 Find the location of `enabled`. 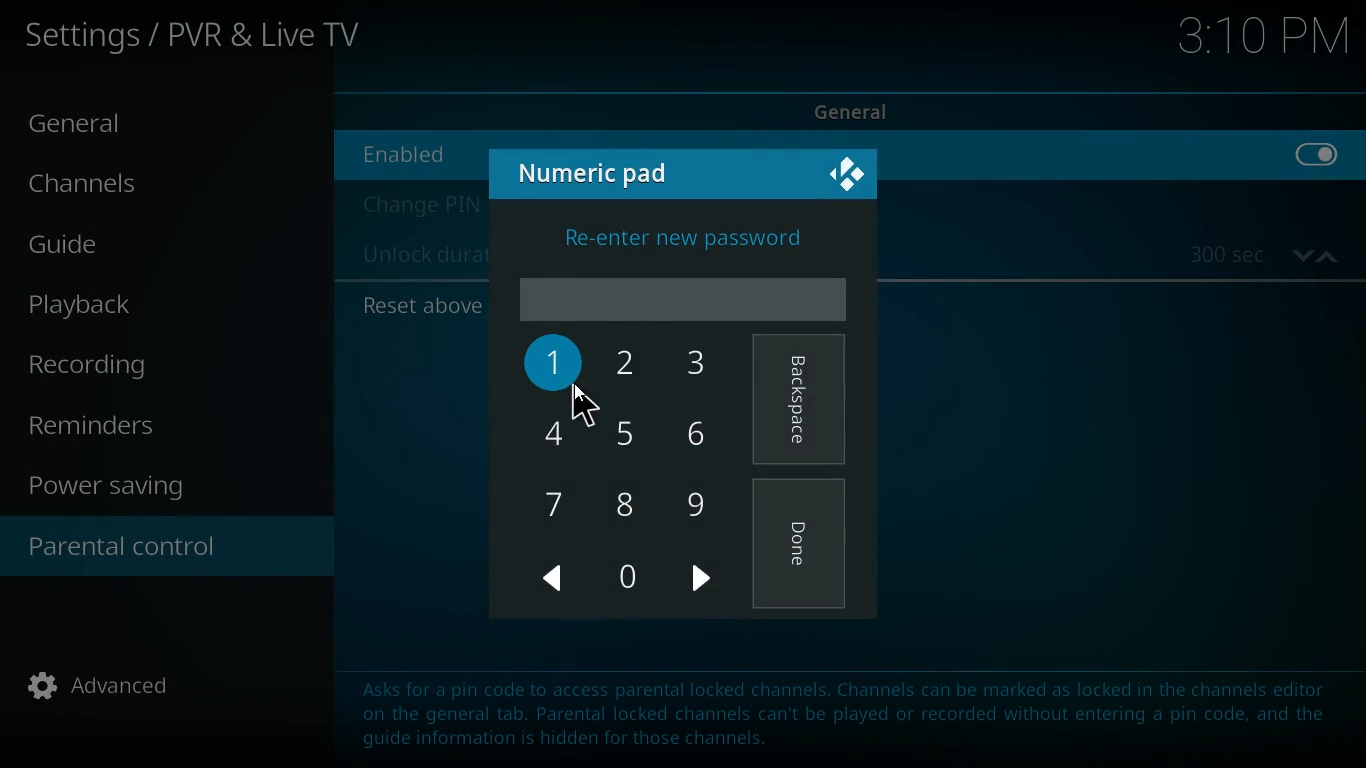

enabled is located at coordinates (418, 153).